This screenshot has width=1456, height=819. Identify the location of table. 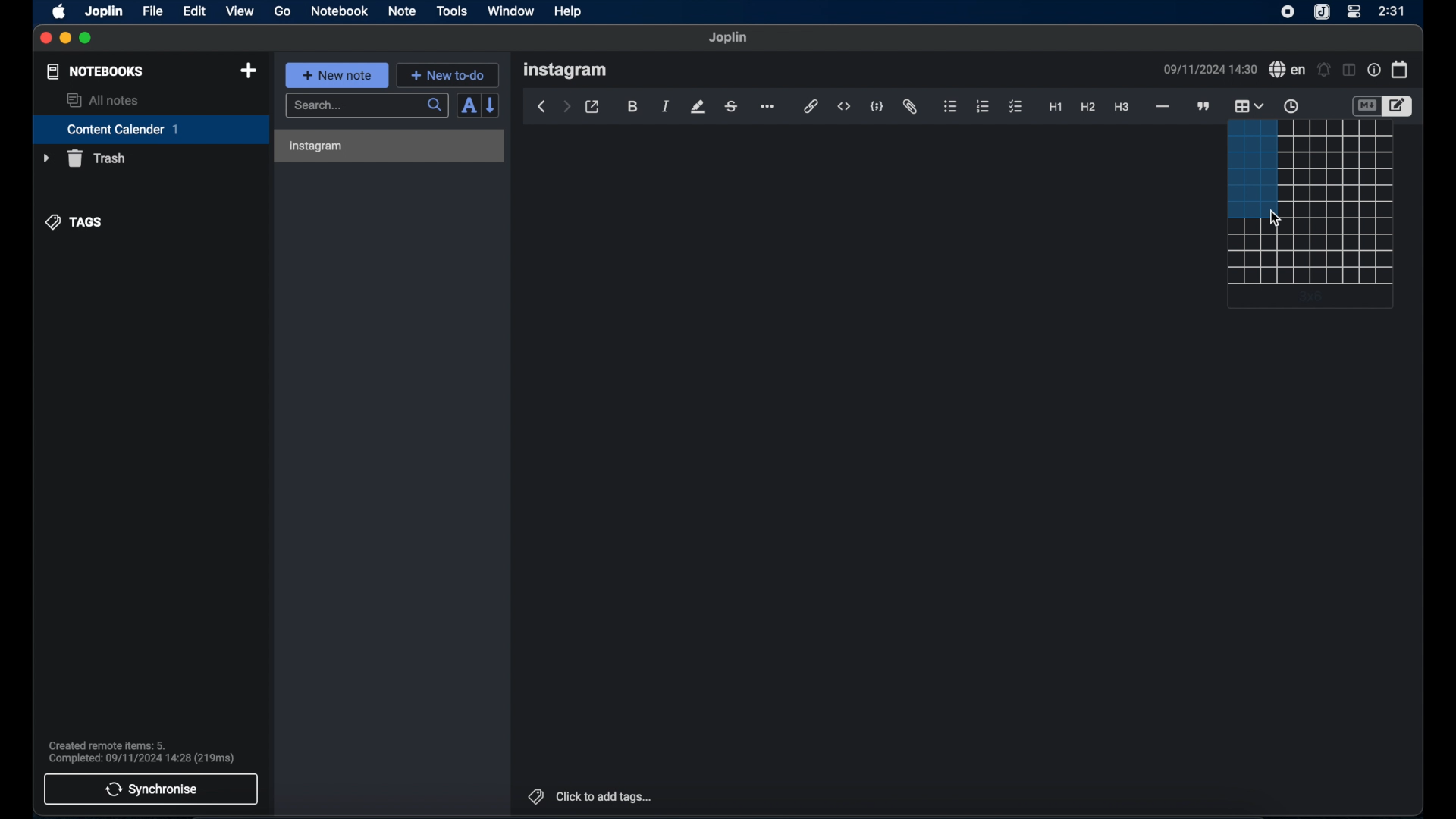
(1338, 168).